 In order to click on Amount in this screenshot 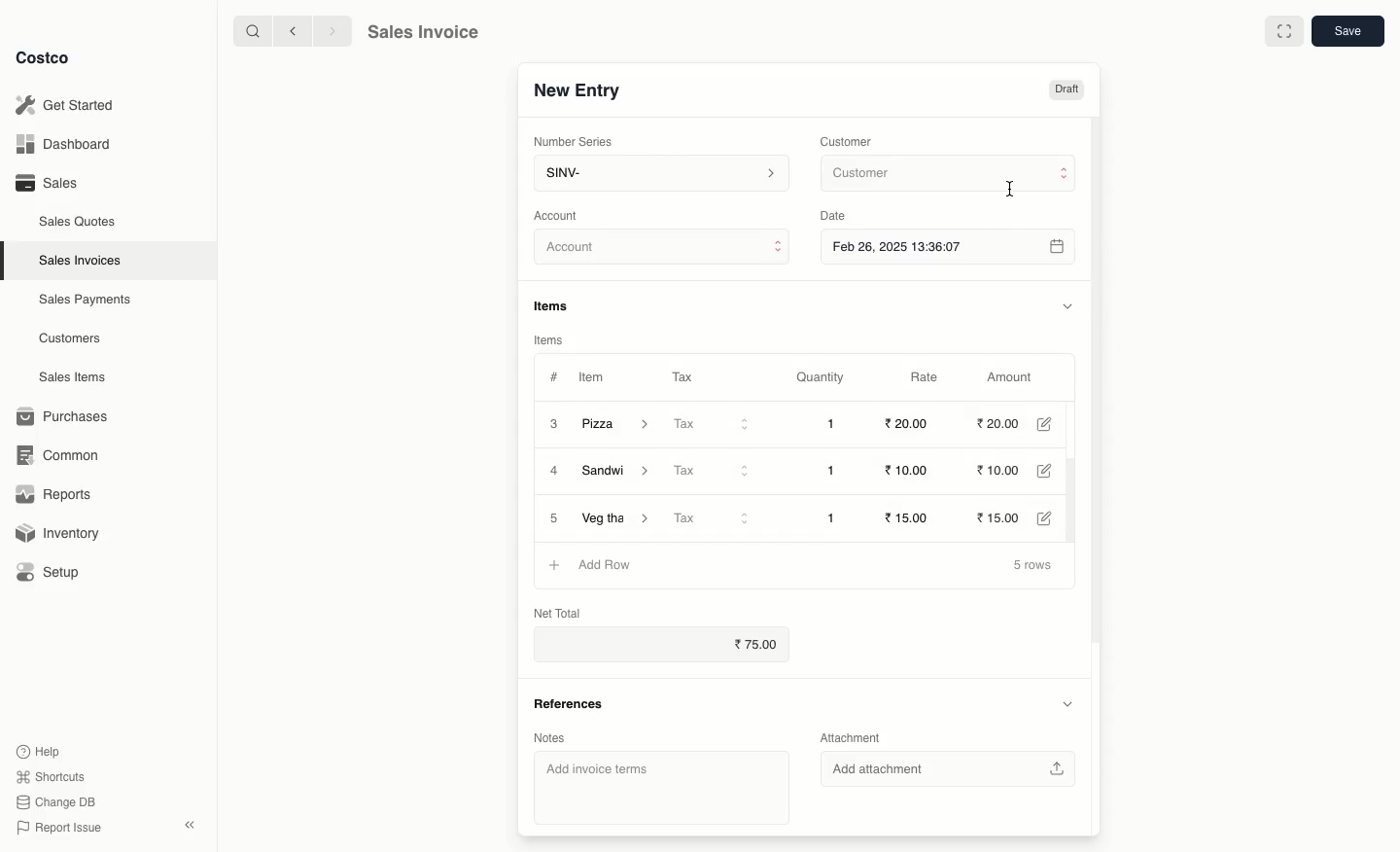, I will do `click(1015, 377)`.